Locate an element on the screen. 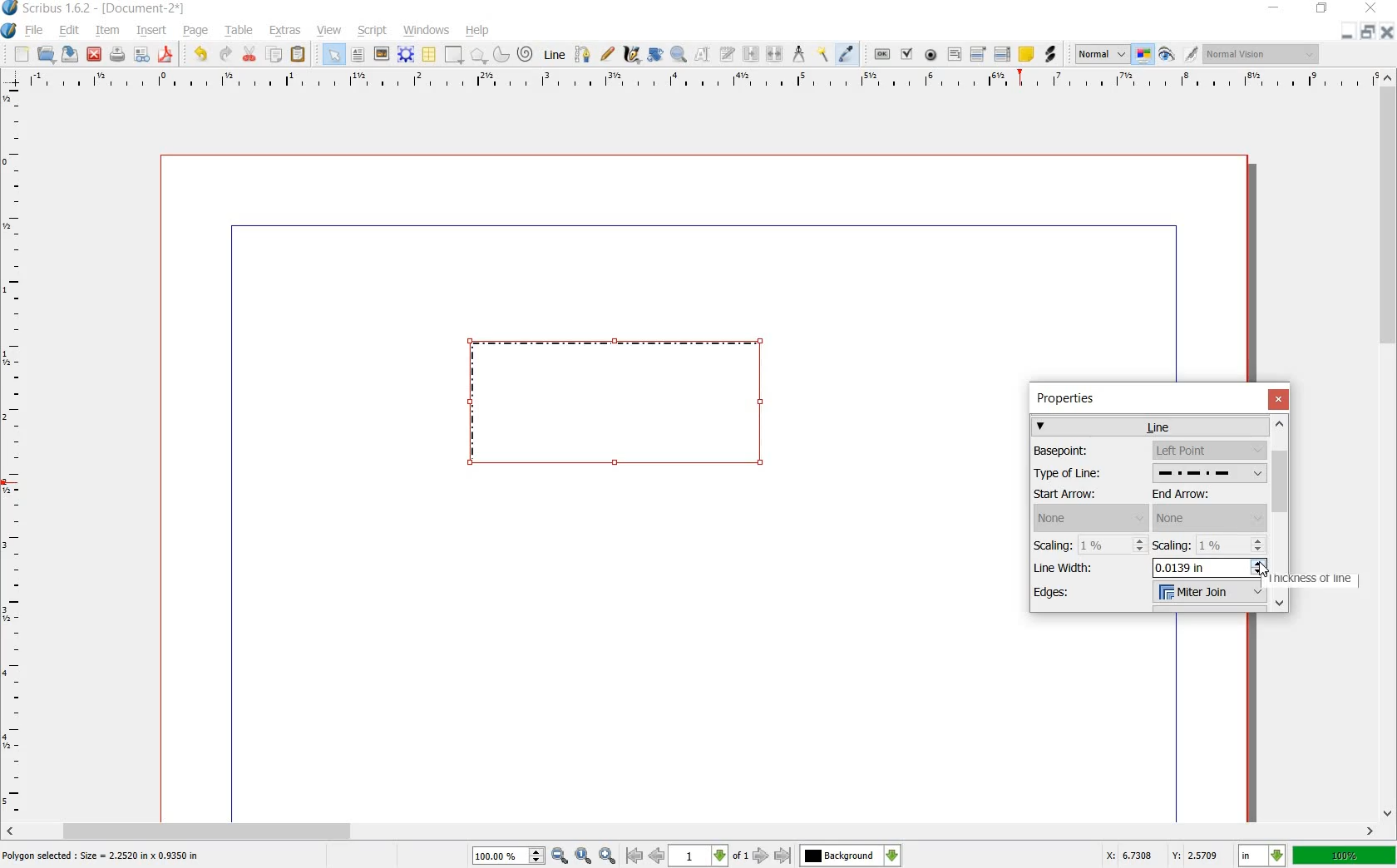  VIEW is located at coordinates (328, 32).